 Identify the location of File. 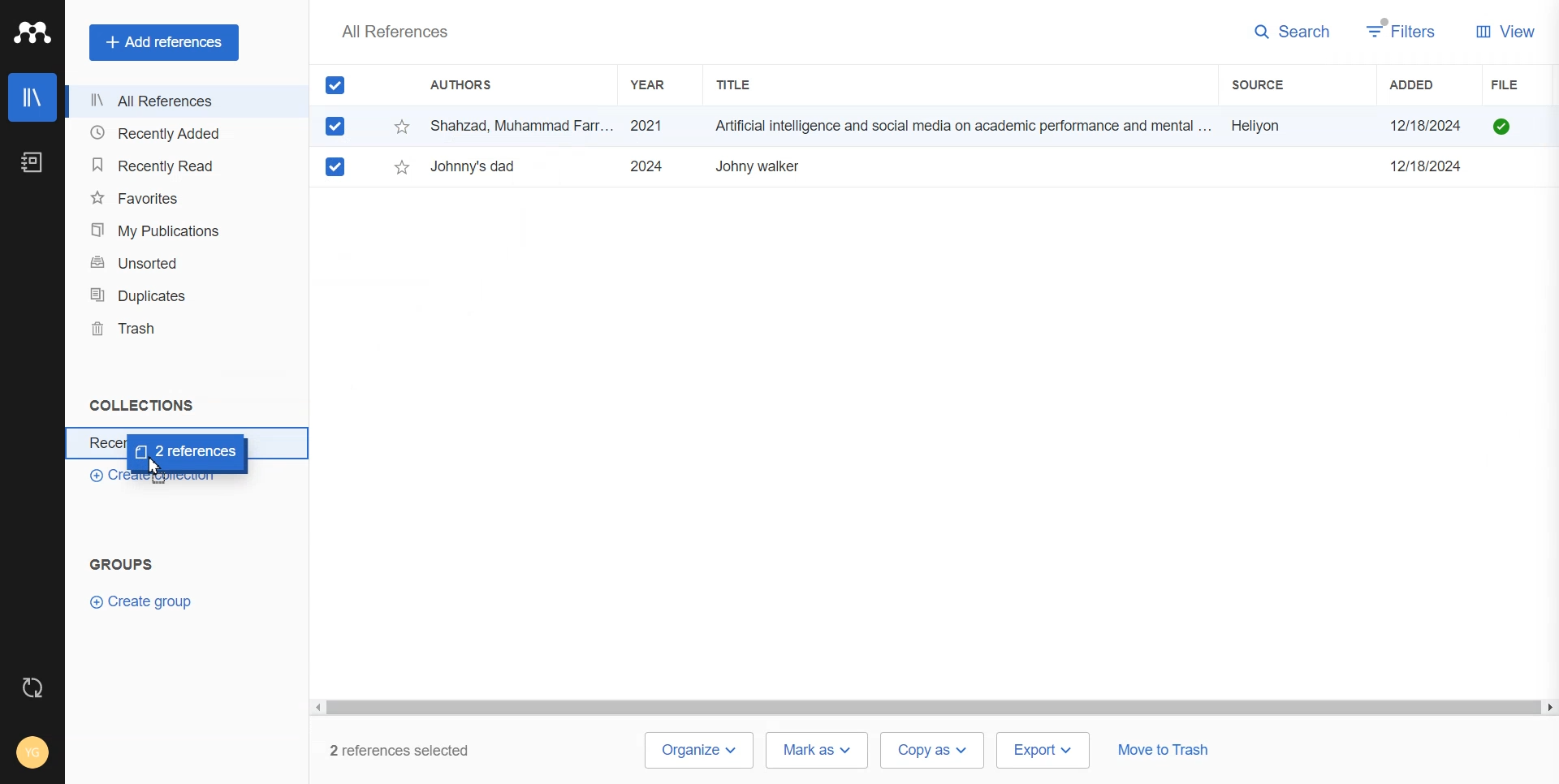
(1524, 85).